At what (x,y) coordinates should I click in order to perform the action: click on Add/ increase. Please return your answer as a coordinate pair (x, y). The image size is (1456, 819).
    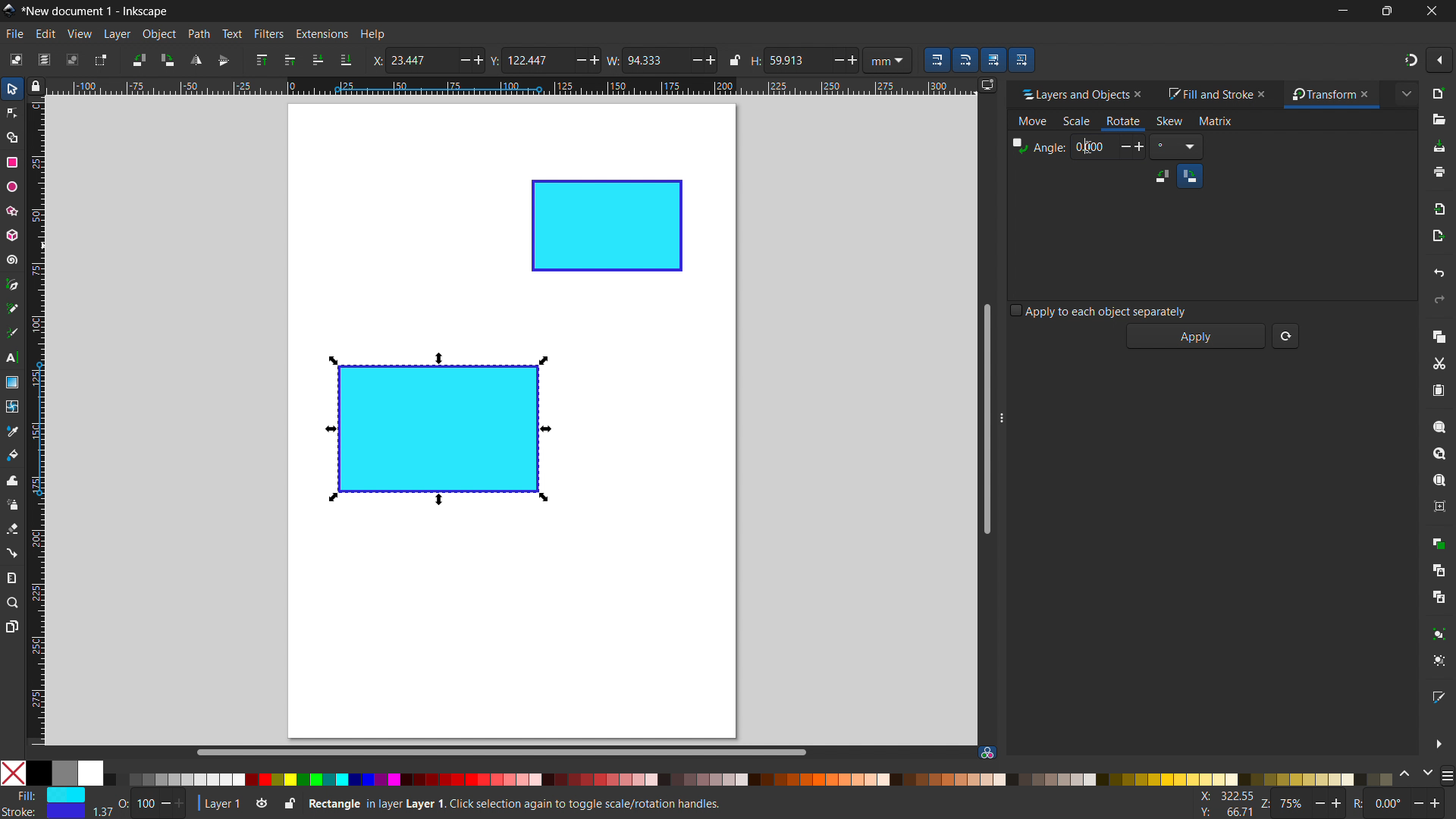
    Looking at the image, I should click on (477, 60).